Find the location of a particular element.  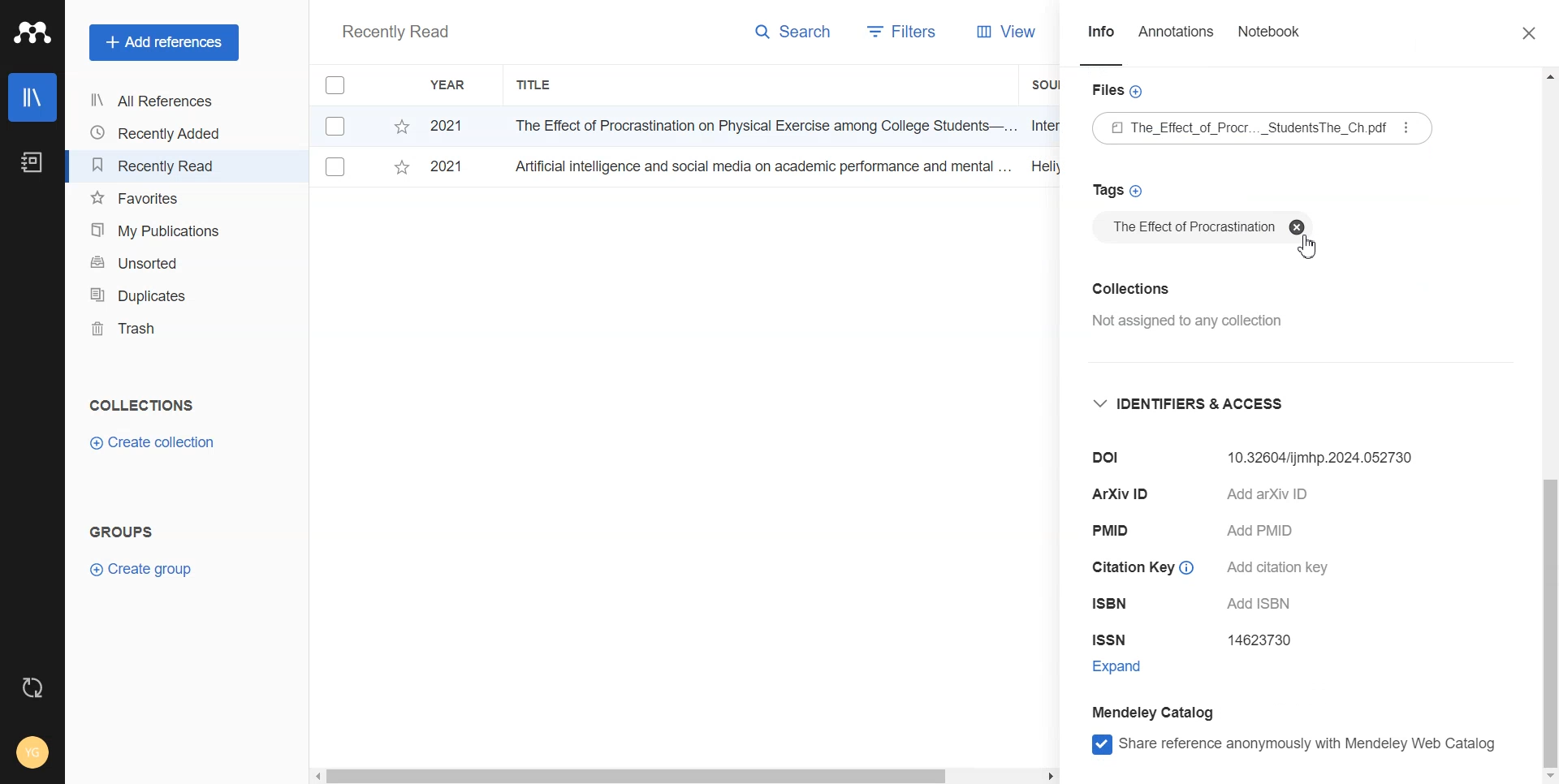

Share reference anonymously with Mendeley web catalog is located at coordinates (1296, 745).